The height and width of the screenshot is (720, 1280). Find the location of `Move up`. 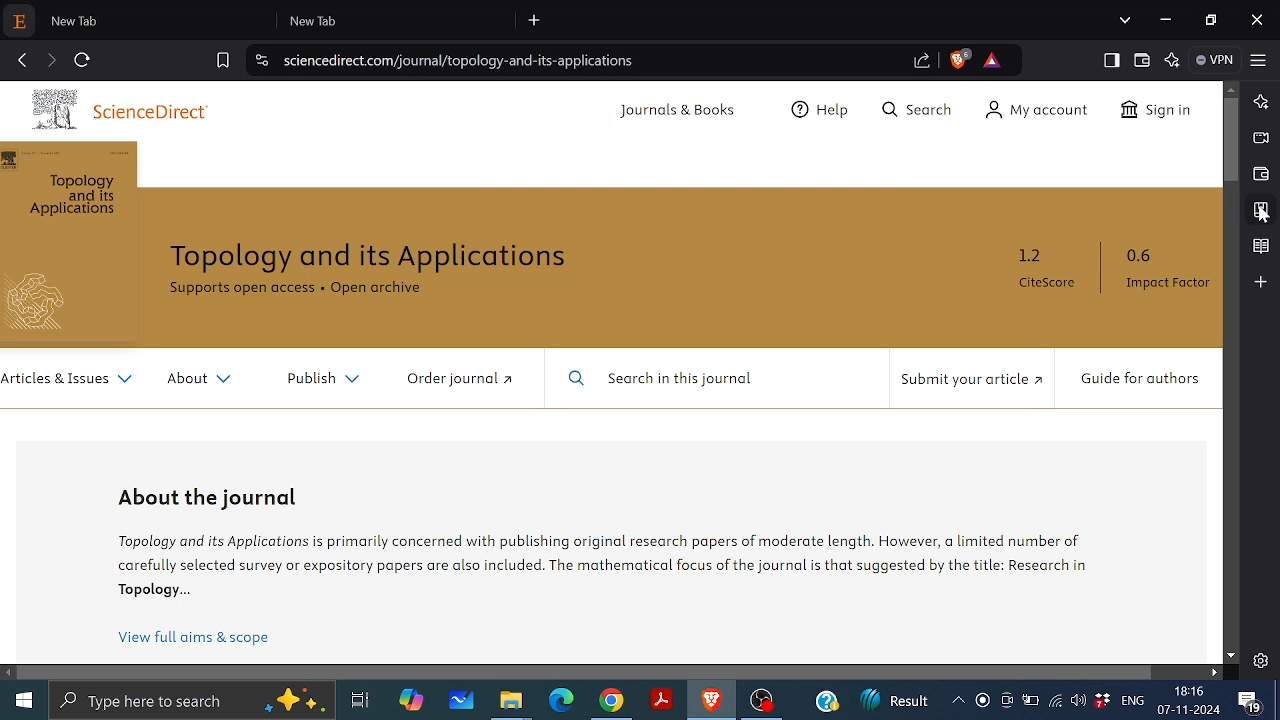

Move up is located at coordinates (1232, 90).